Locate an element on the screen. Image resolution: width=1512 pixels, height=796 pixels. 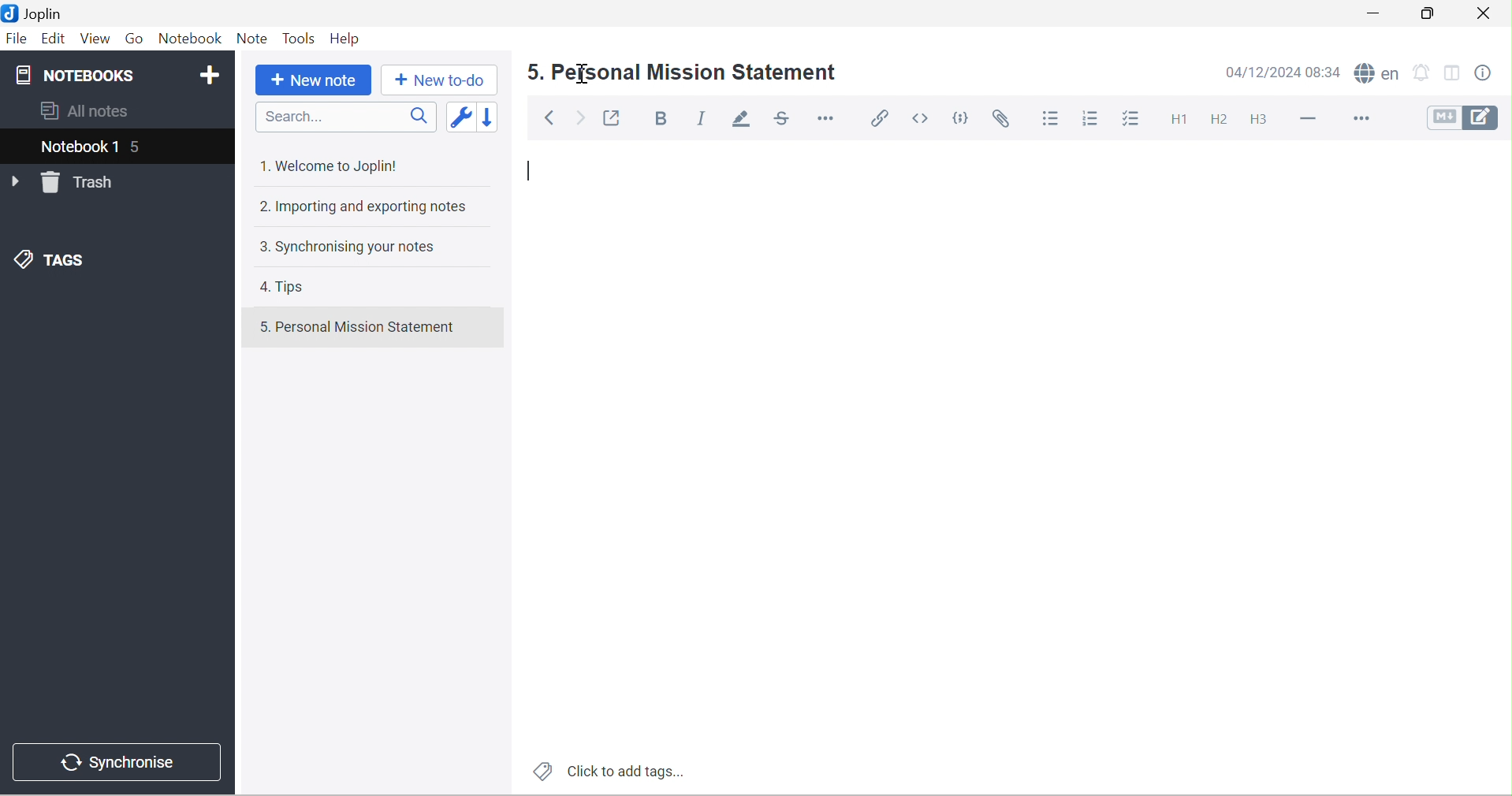
Heading 2 is located at coordinates (1221, 120).